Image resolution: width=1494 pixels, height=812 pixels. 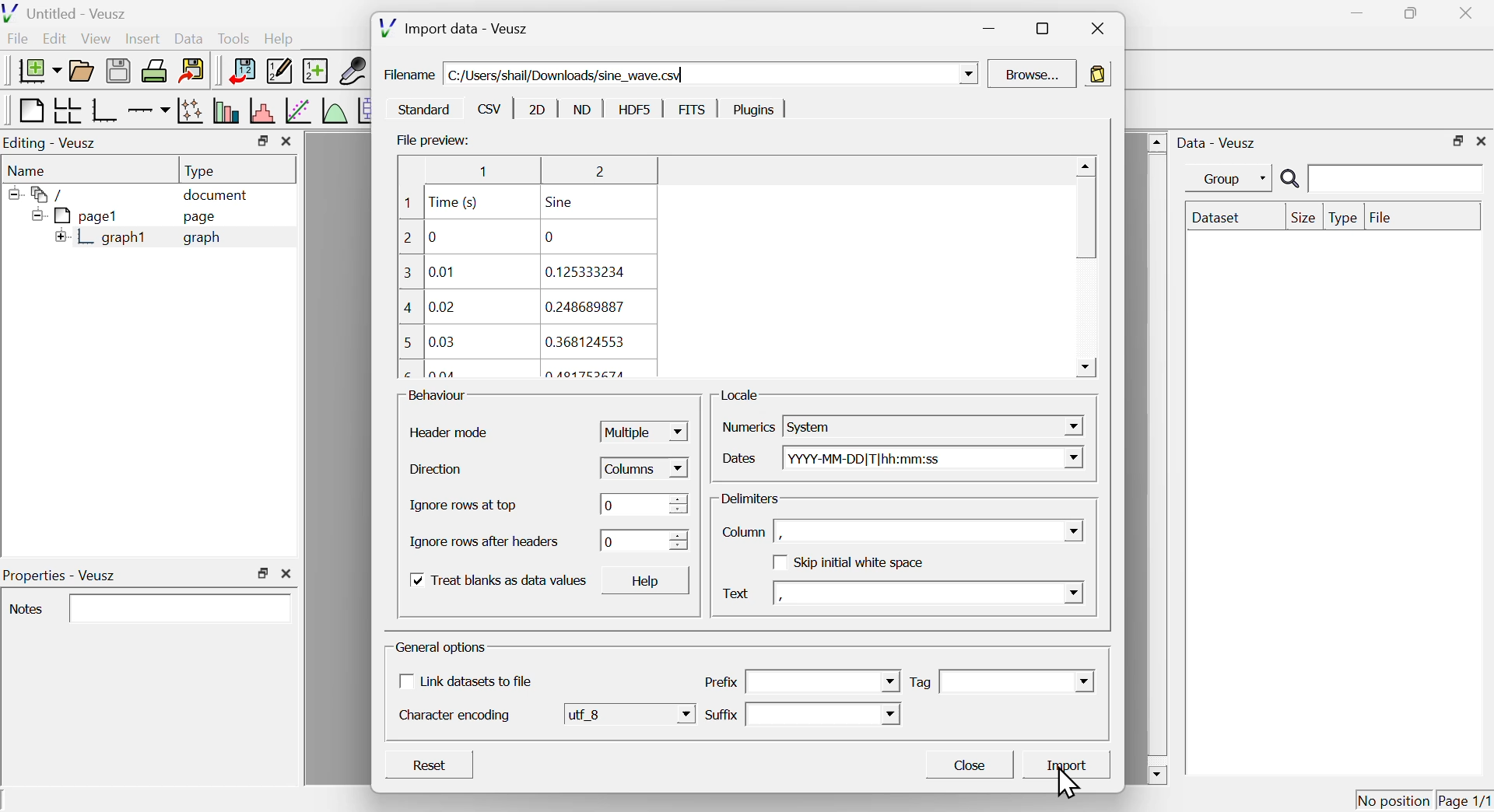 I want to click on add an axis to the plot, so click(x=149, y=110).